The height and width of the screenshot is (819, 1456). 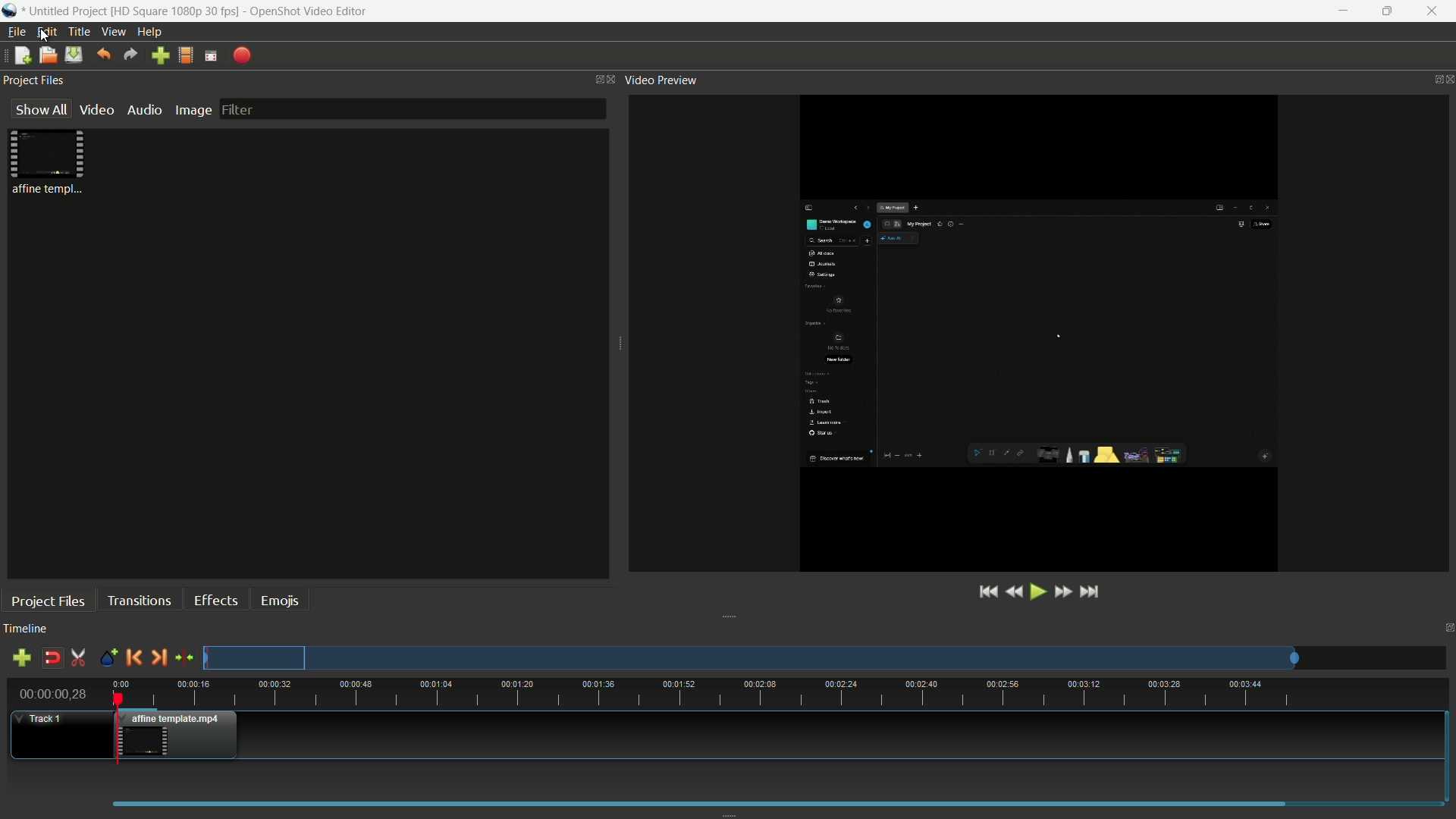 What do you see at coordinates (1435, 11) in the screenshot?
I see `close app` at bounding box center [1435, 11].